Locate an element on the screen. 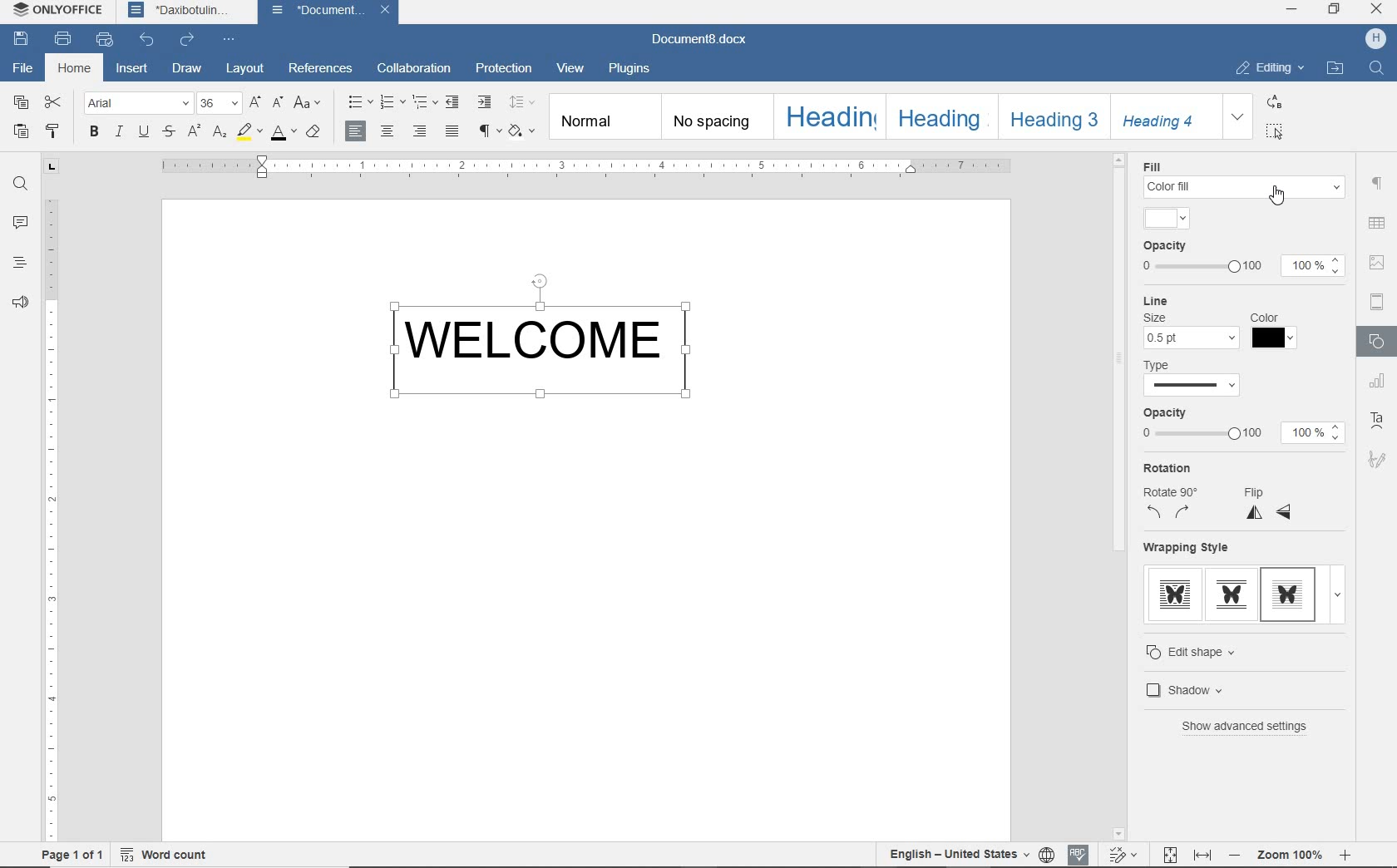  FEEDBACK & SUPPORT is located at coordinates (20, 302).